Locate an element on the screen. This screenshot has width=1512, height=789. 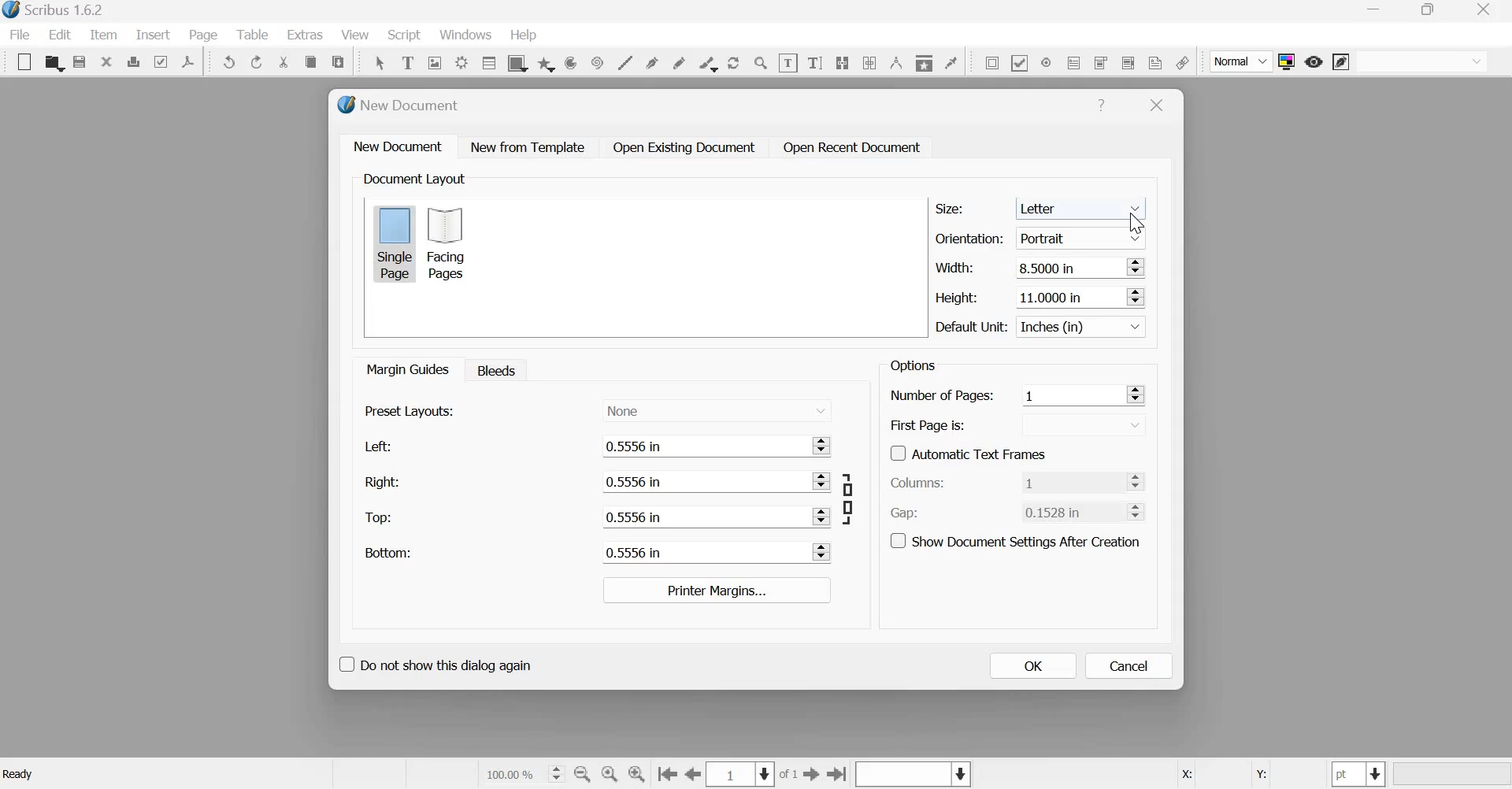
1 is located at coordinates (1071, 481).